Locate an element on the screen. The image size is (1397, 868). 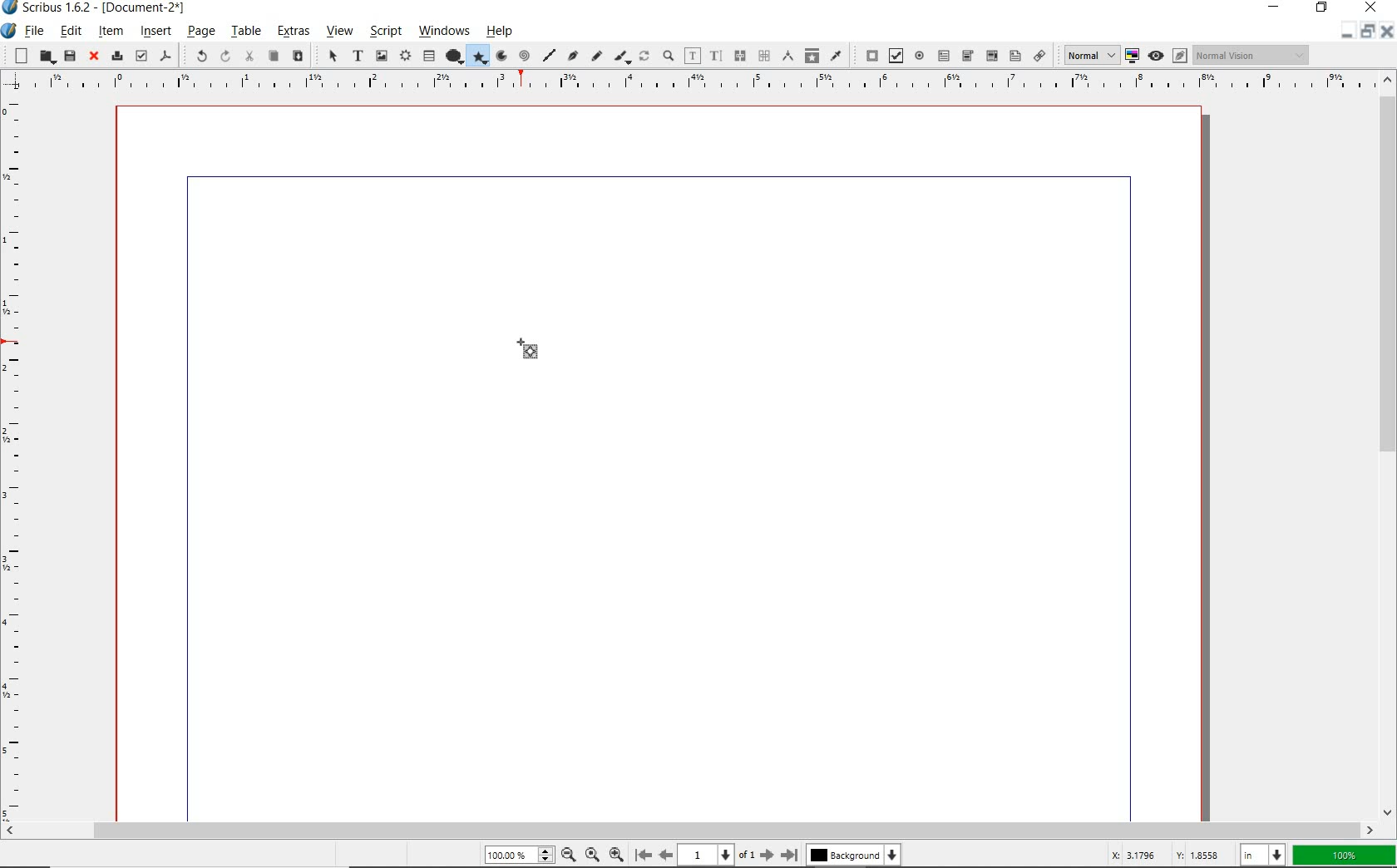
paste is located at coordinates (298, 57).